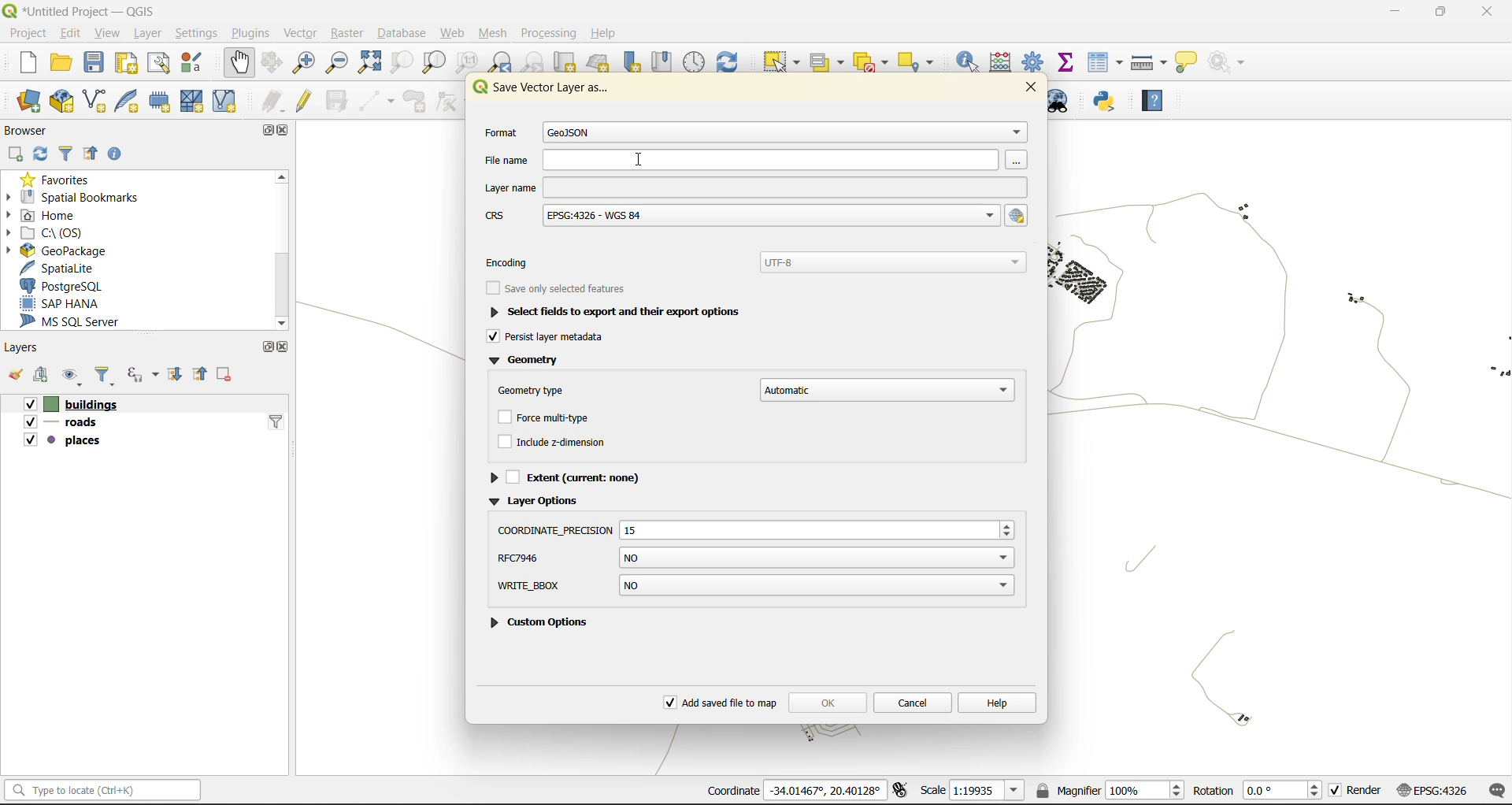  What do you see at coordinates (972, 62) in the screenshot?
I see `identify features` at bounding box center [972, 62].